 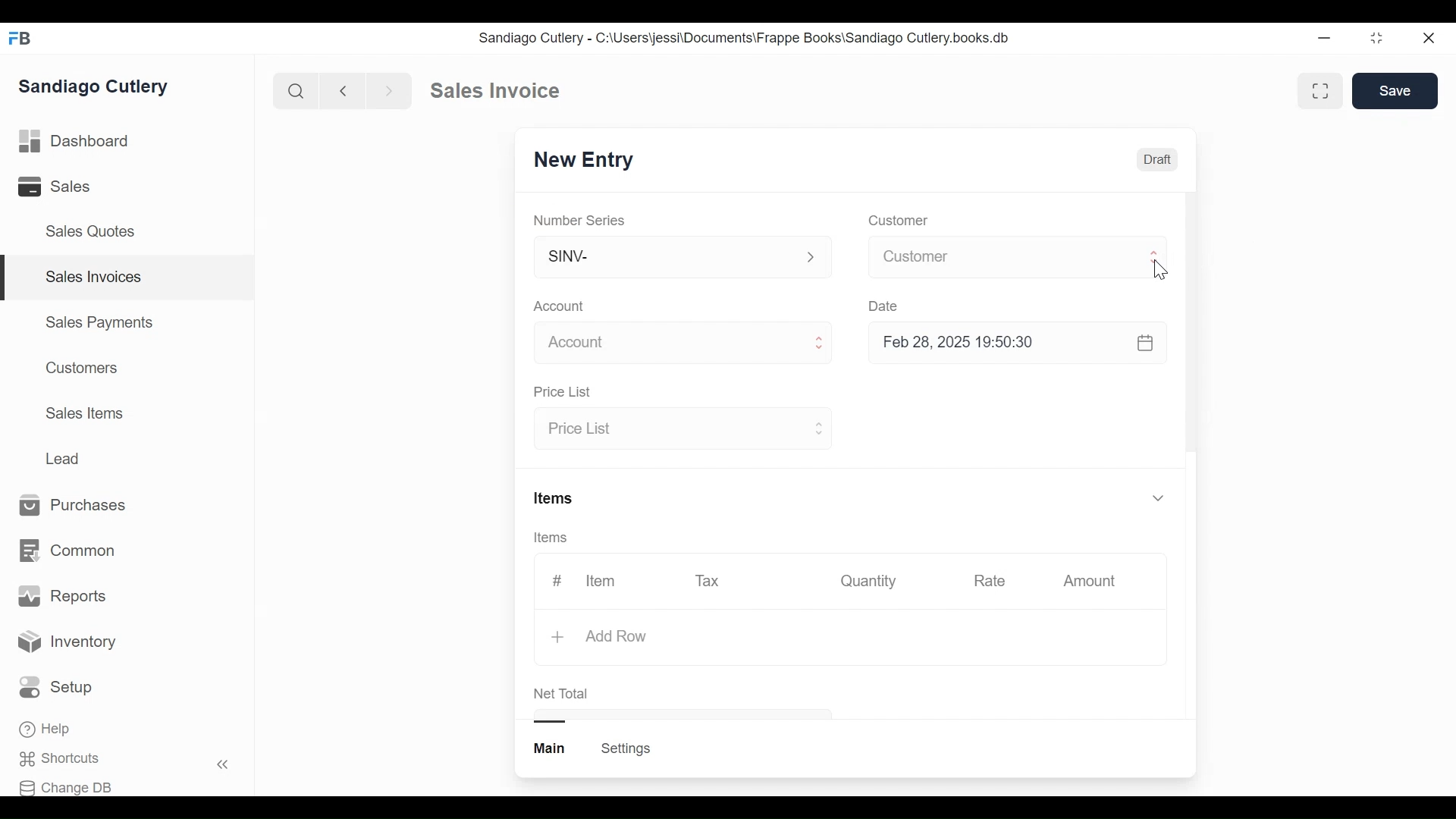 What do you see at coordinates (1160, 271) in the screenshot?
I see `cursor` at bounding box center [1160, 271].